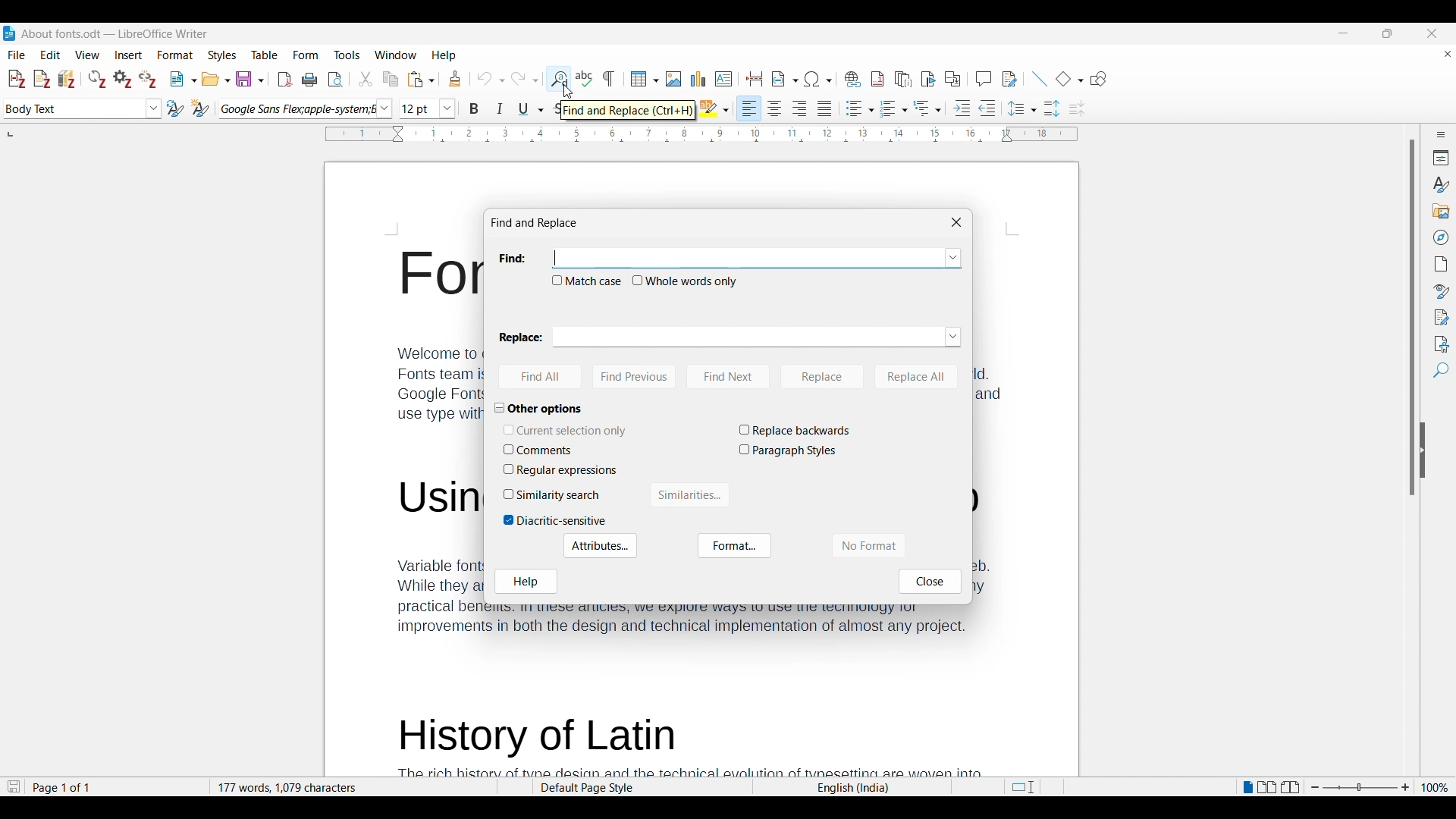 The image size is (1456, 819). What do you see at coordinates (714, 108) in the screenshot?
I see `Highlight color options and current selection` at bounding box center [714, 108].